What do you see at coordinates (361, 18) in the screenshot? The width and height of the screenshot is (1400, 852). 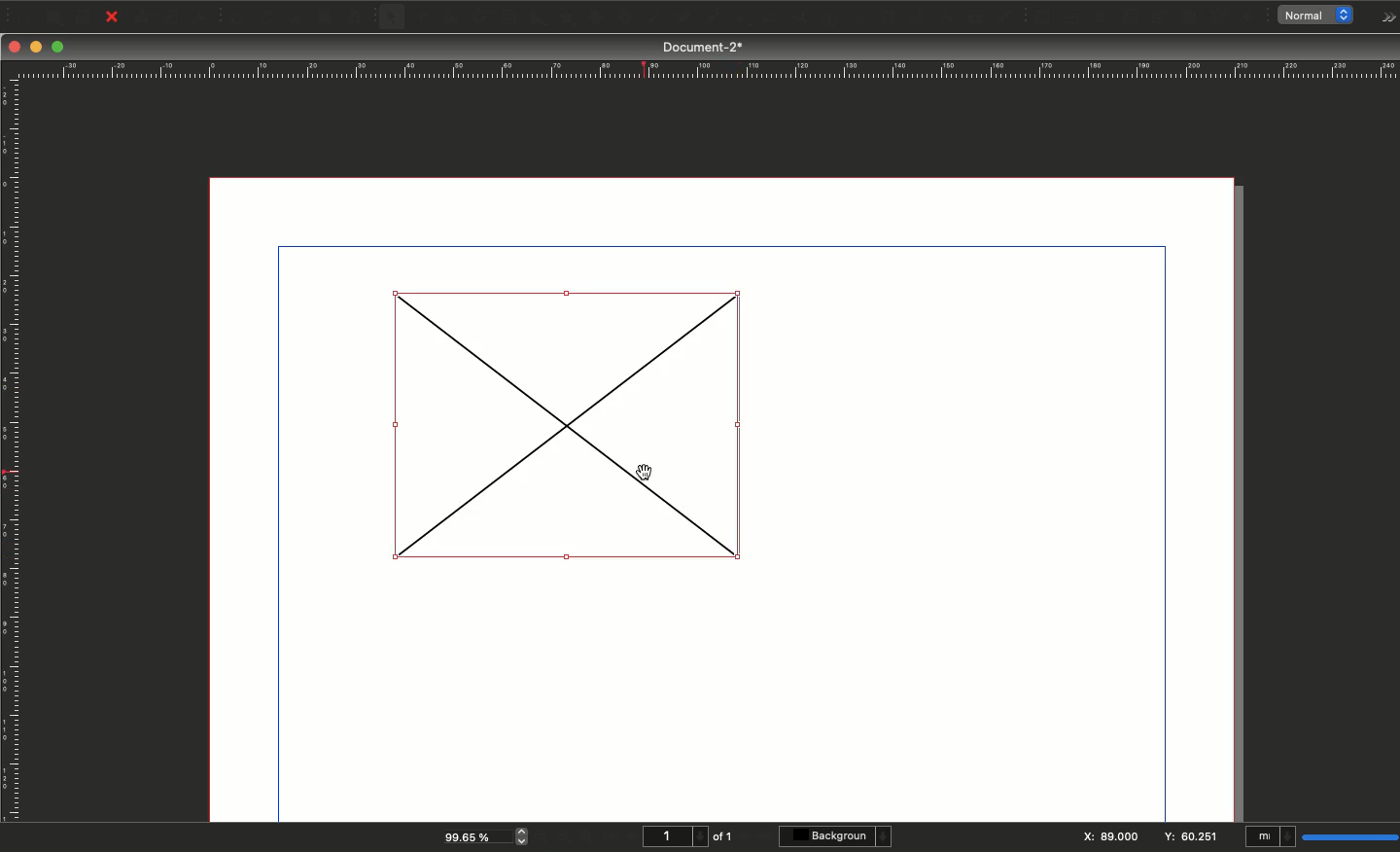 I see `Paste` at bounding box center [361, 18].